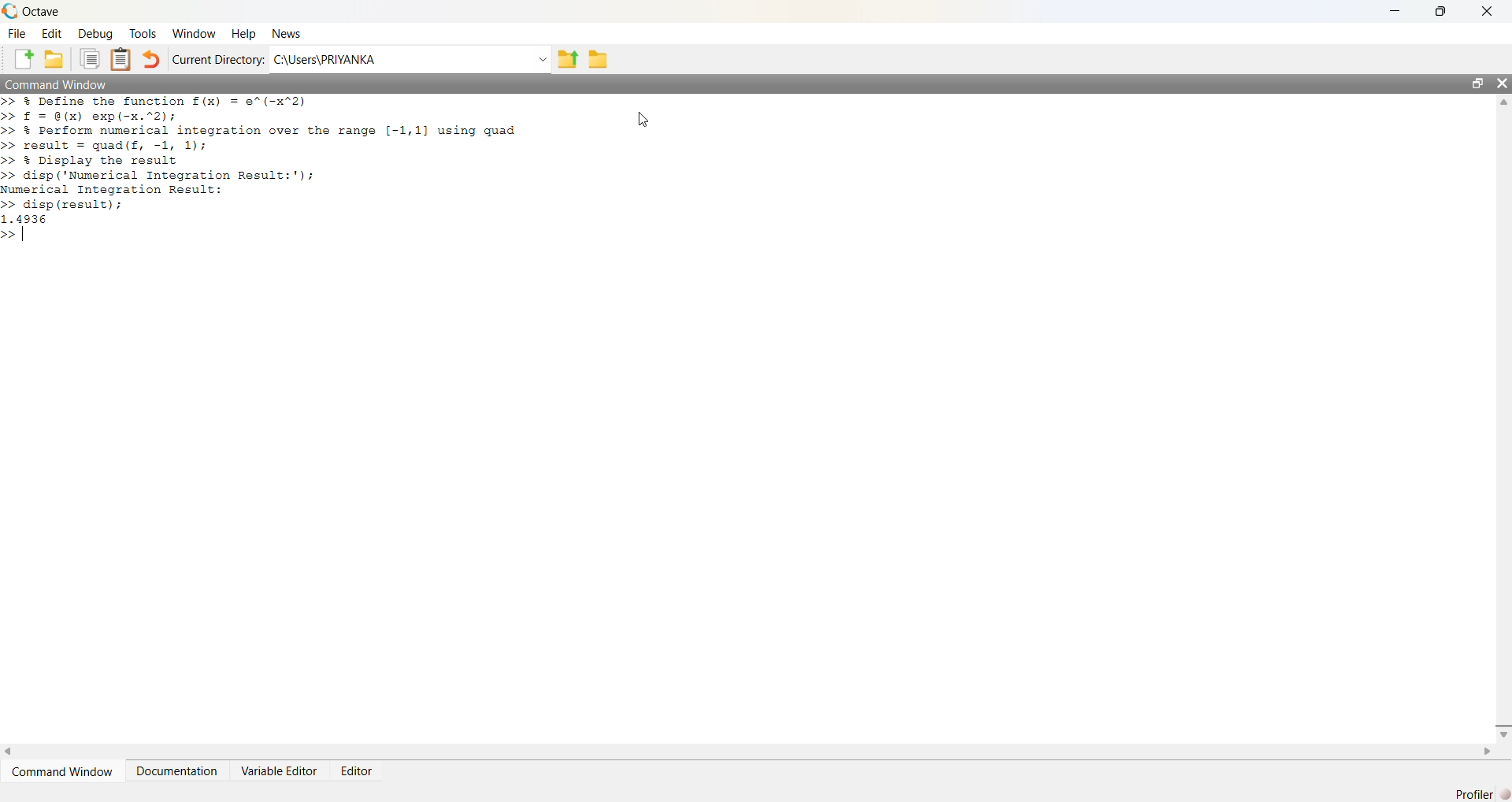 The width and height of the screenshot is (1512, 802). What do you see at coordinates (143, 32) in the screenshot?
I see `Tools` at bounding box center [143, 32].